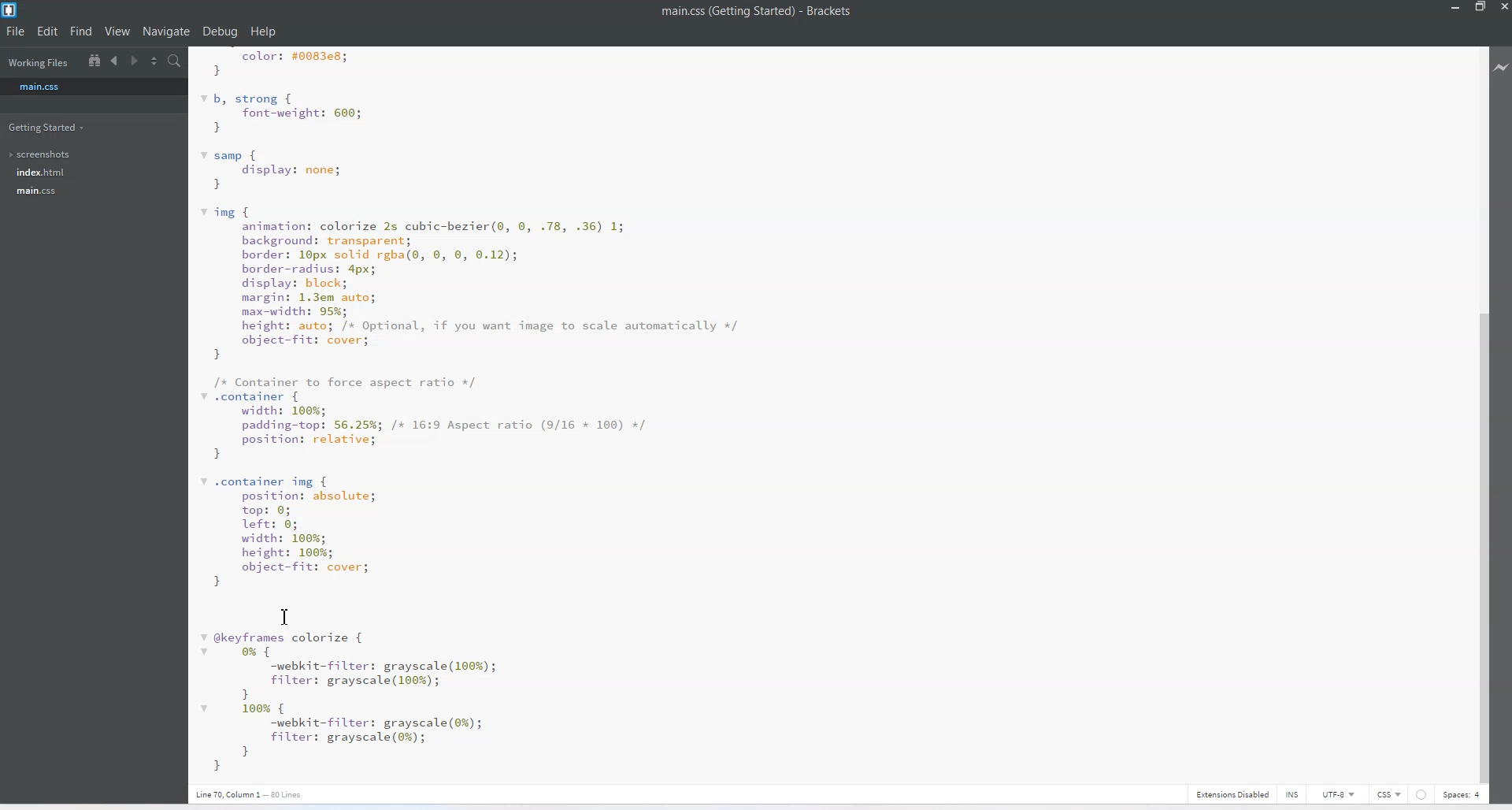 The width and height of the screenshot is (1512, 810). I want to click on Help, so click(262, 32).